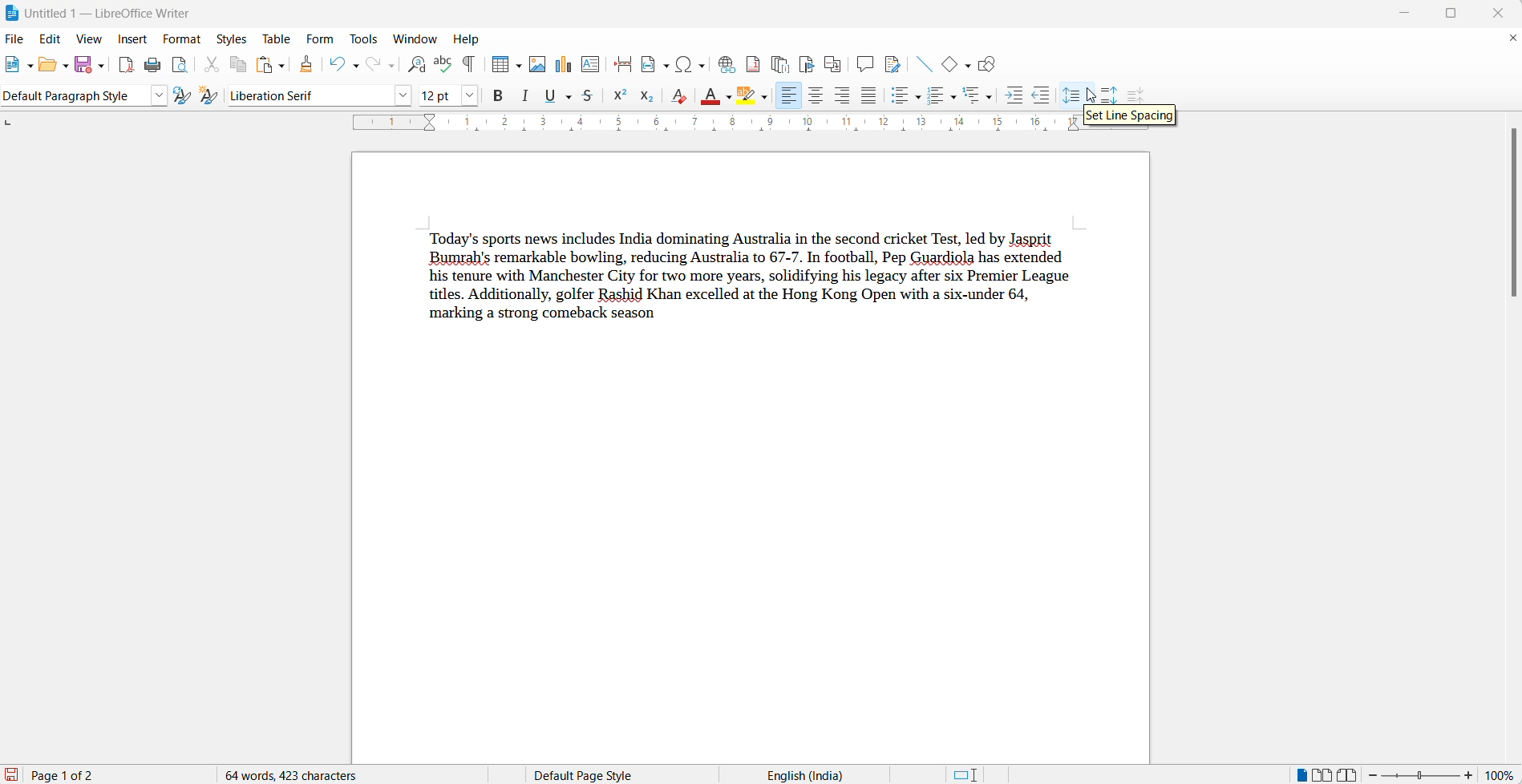 The height and width of the screenshot is (784, 1522). What do you see at coordinates (154, 63) in the screenshot?
I see `print` at bounding box center [154, 63].